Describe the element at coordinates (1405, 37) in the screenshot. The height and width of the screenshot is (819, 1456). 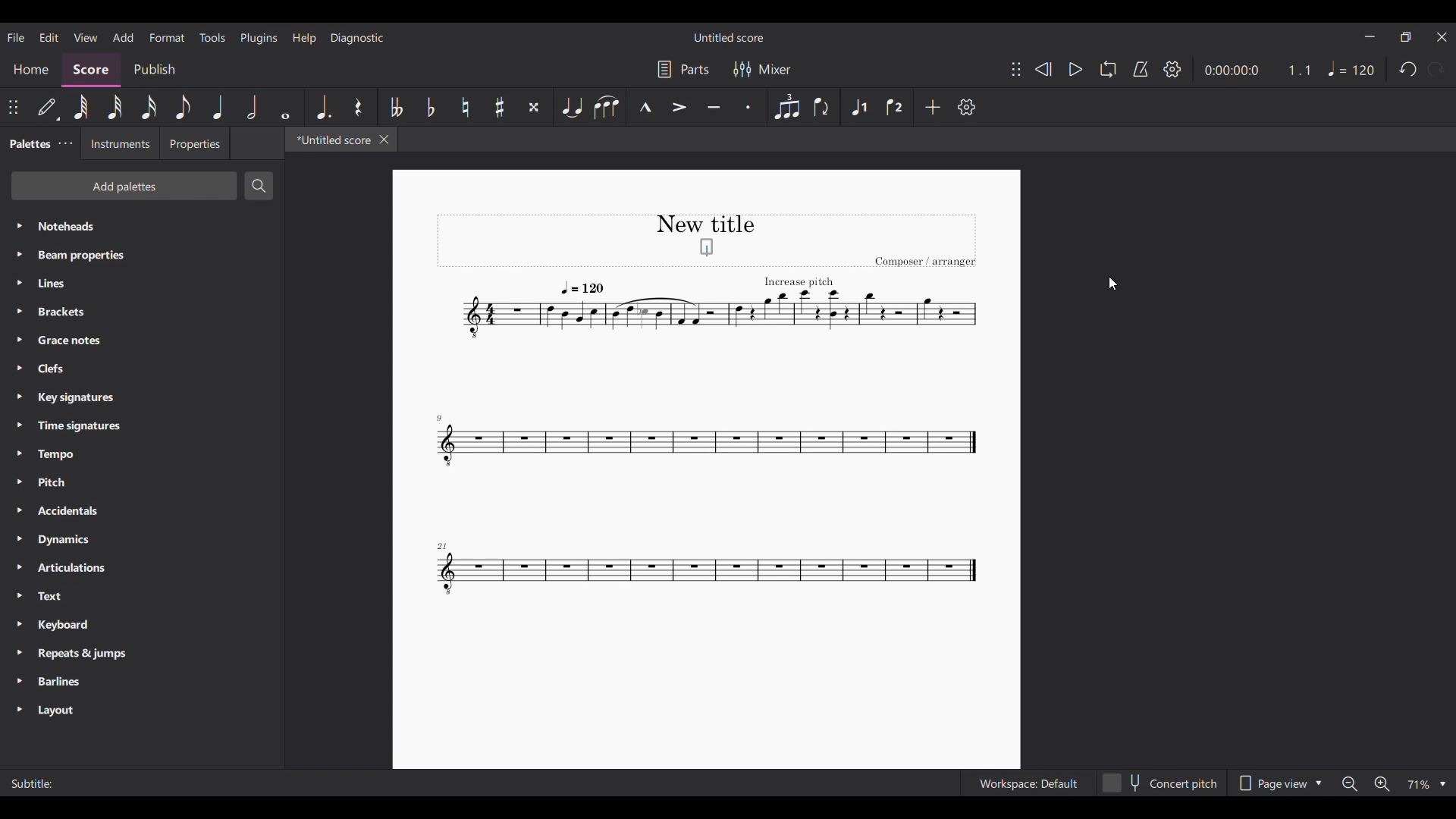
I see `Show in smaller tab` at that location.